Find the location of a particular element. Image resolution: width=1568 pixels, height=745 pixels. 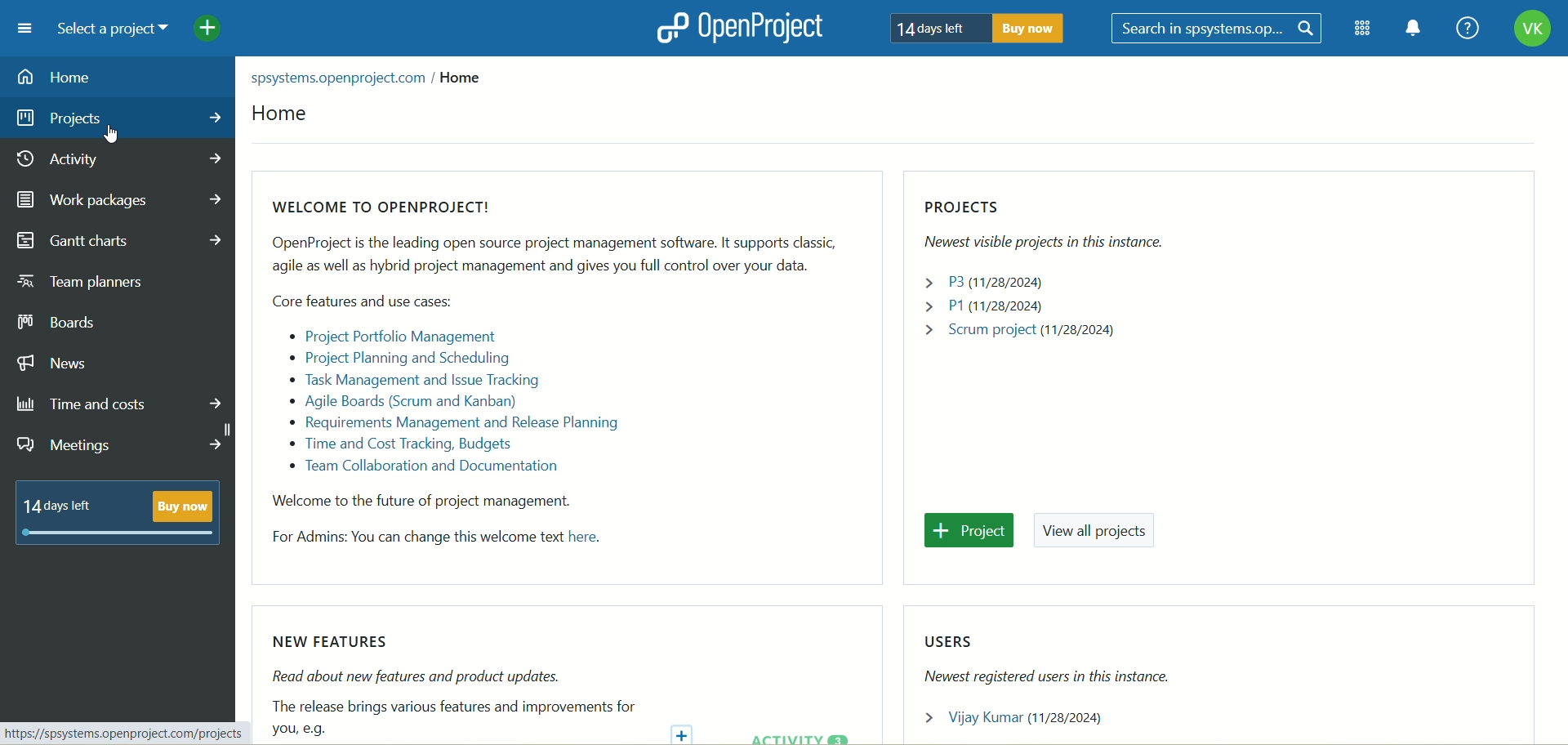

14 days left is located at coordinates (938, 29).